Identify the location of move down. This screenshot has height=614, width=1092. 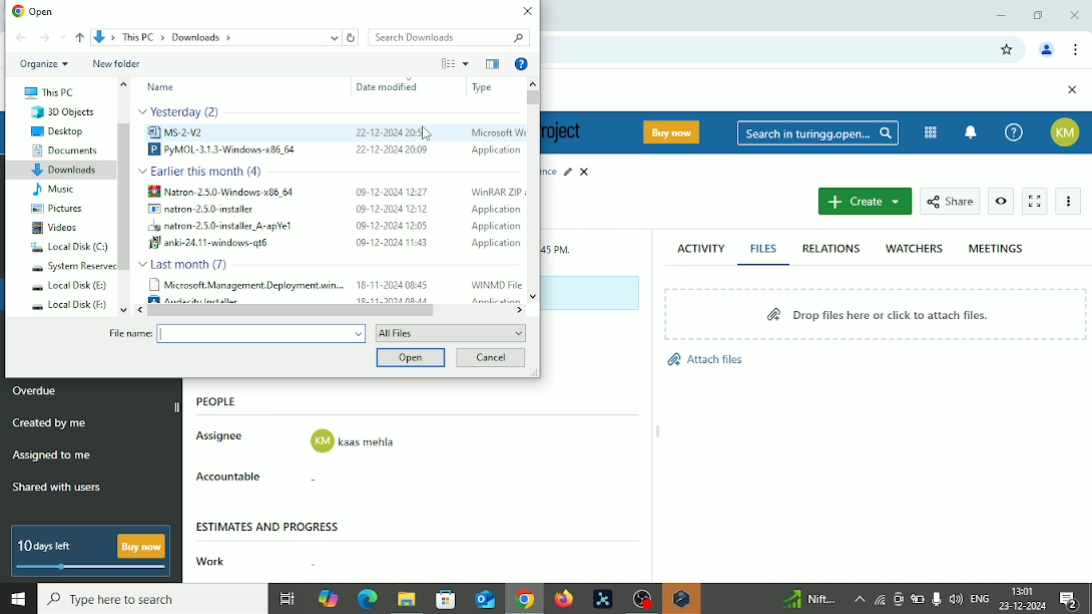
(534, 296).